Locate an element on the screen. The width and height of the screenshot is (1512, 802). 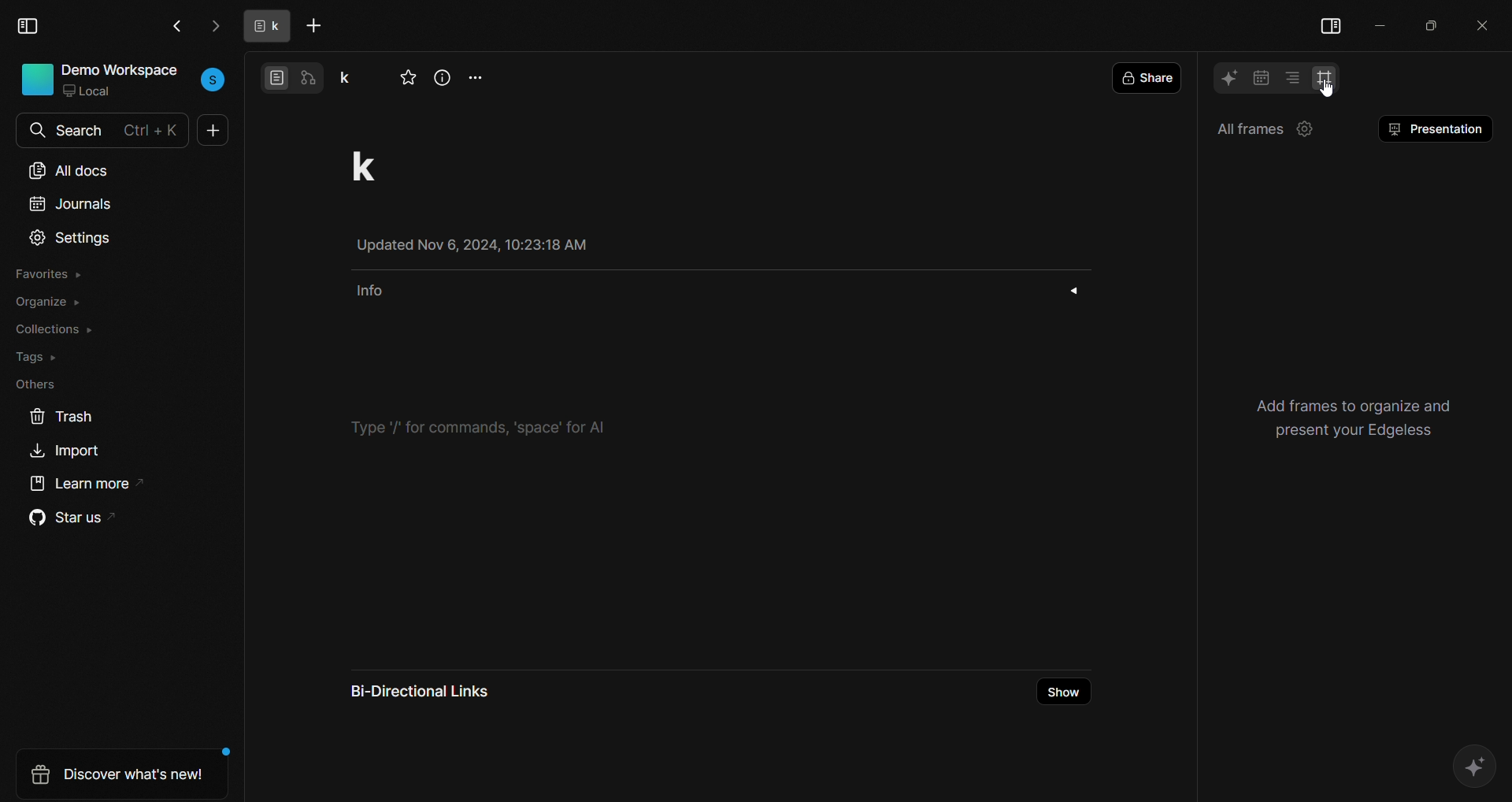
setting is located at coordinates (1308, 130).